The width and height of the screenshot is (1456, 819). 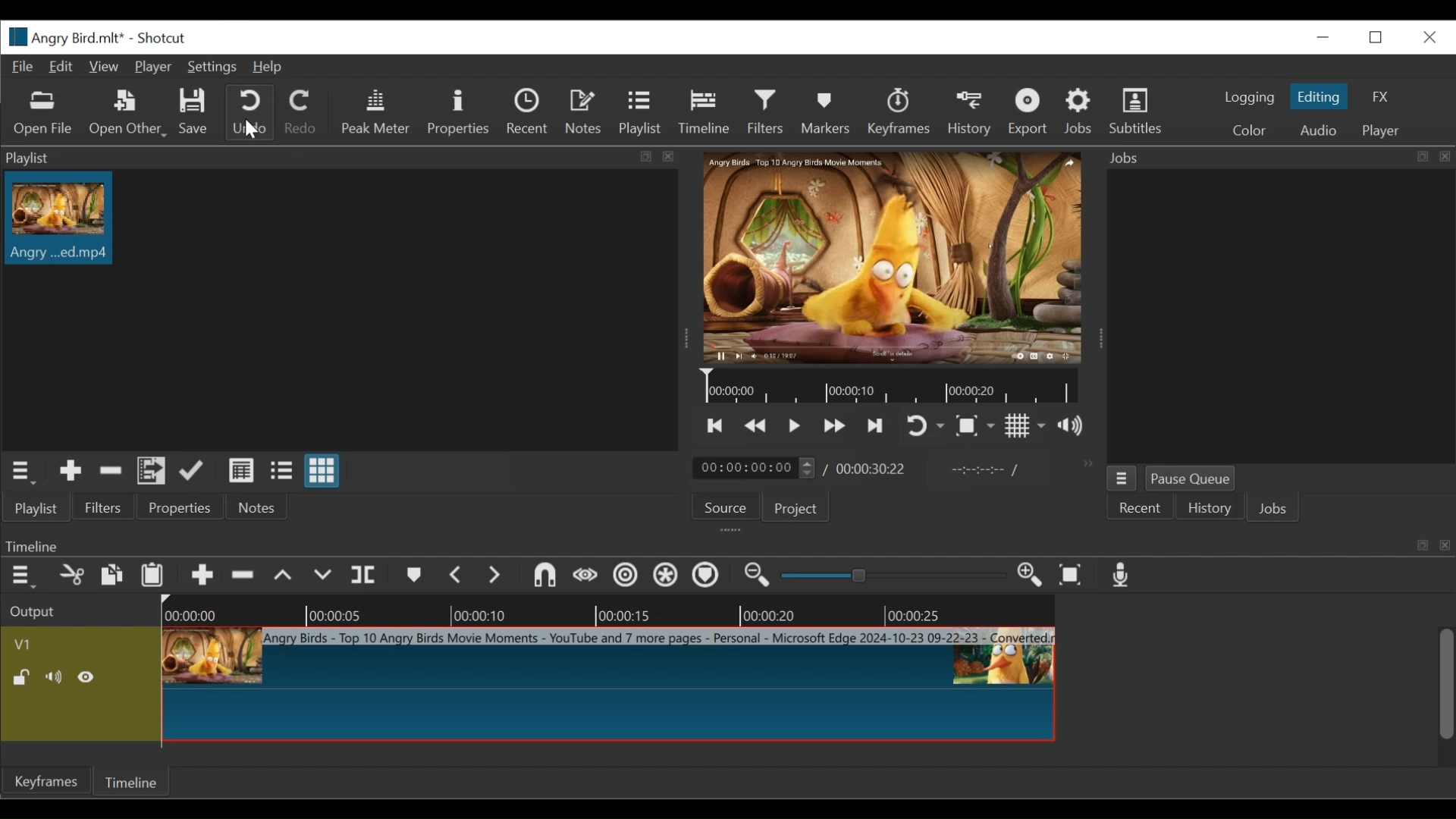 I want to click on Remove Cut, so click(x=111, y=470).